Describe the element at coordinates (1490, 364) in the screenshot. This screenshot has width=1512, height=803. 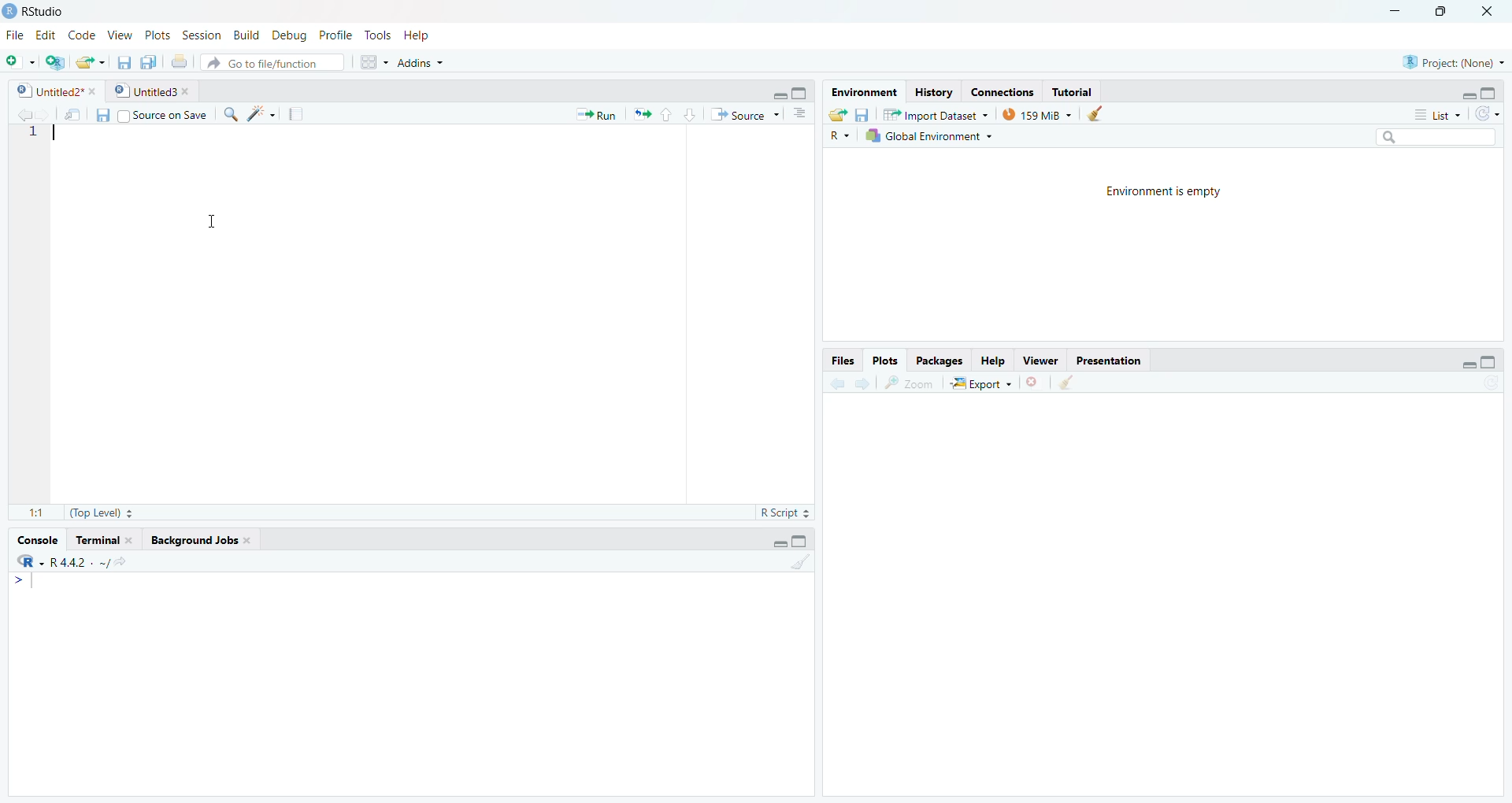
I see `Maximize` at that location.